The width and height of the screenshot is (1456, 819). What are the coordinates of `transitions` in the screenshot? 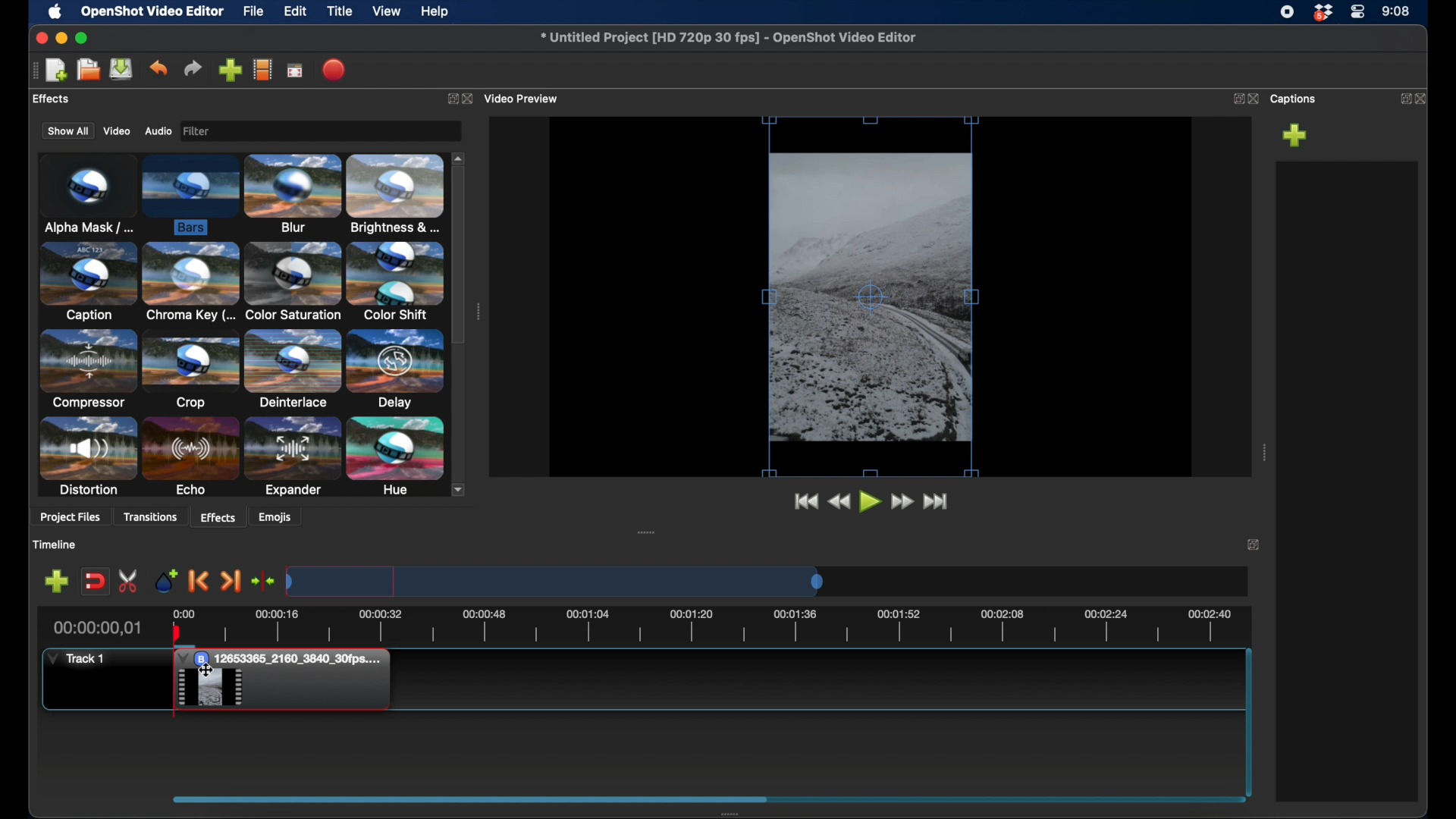 It's located at (152, 516).